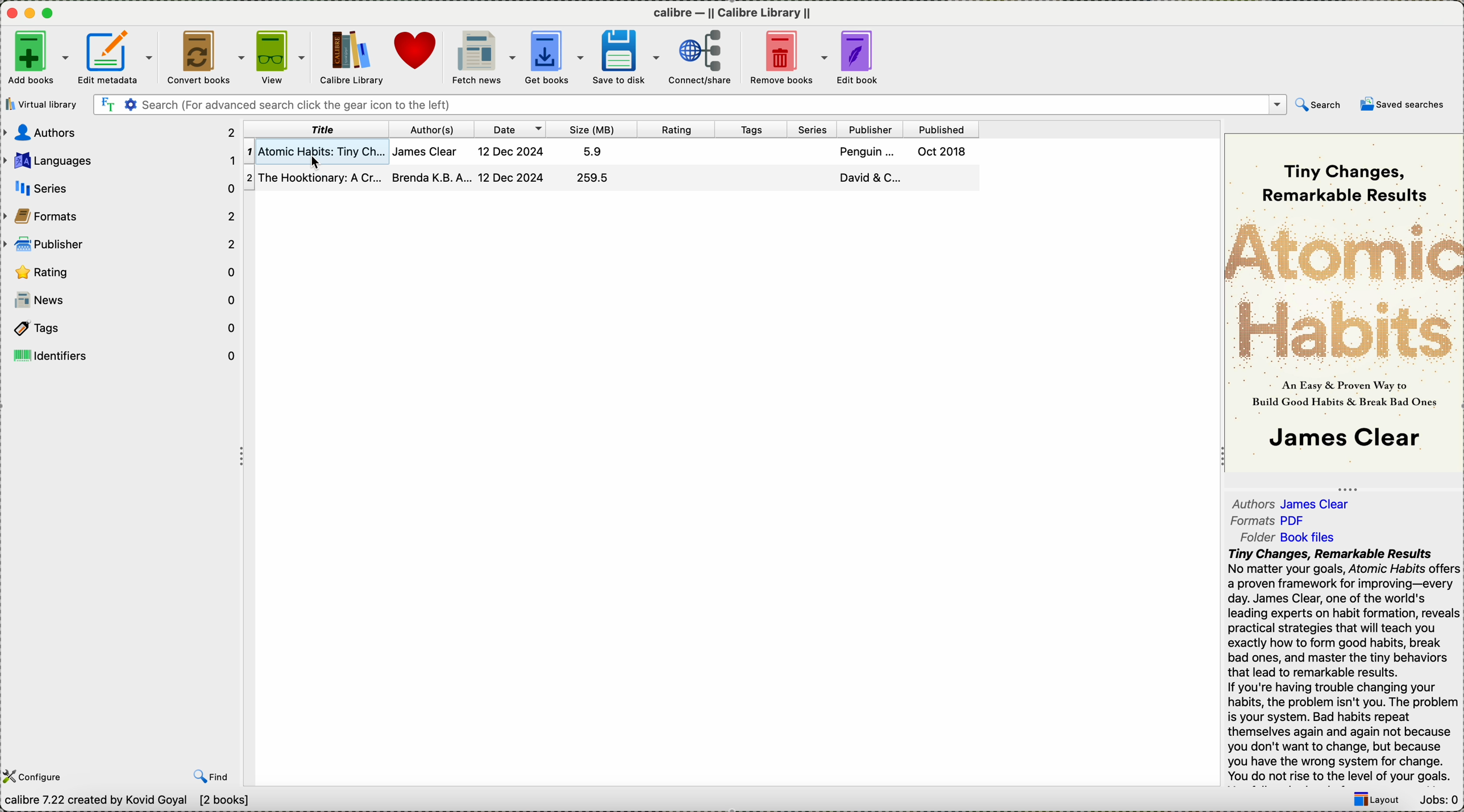  Describe the element at coordinates (38, 58) in the screenshot. I see `add books` at that location.